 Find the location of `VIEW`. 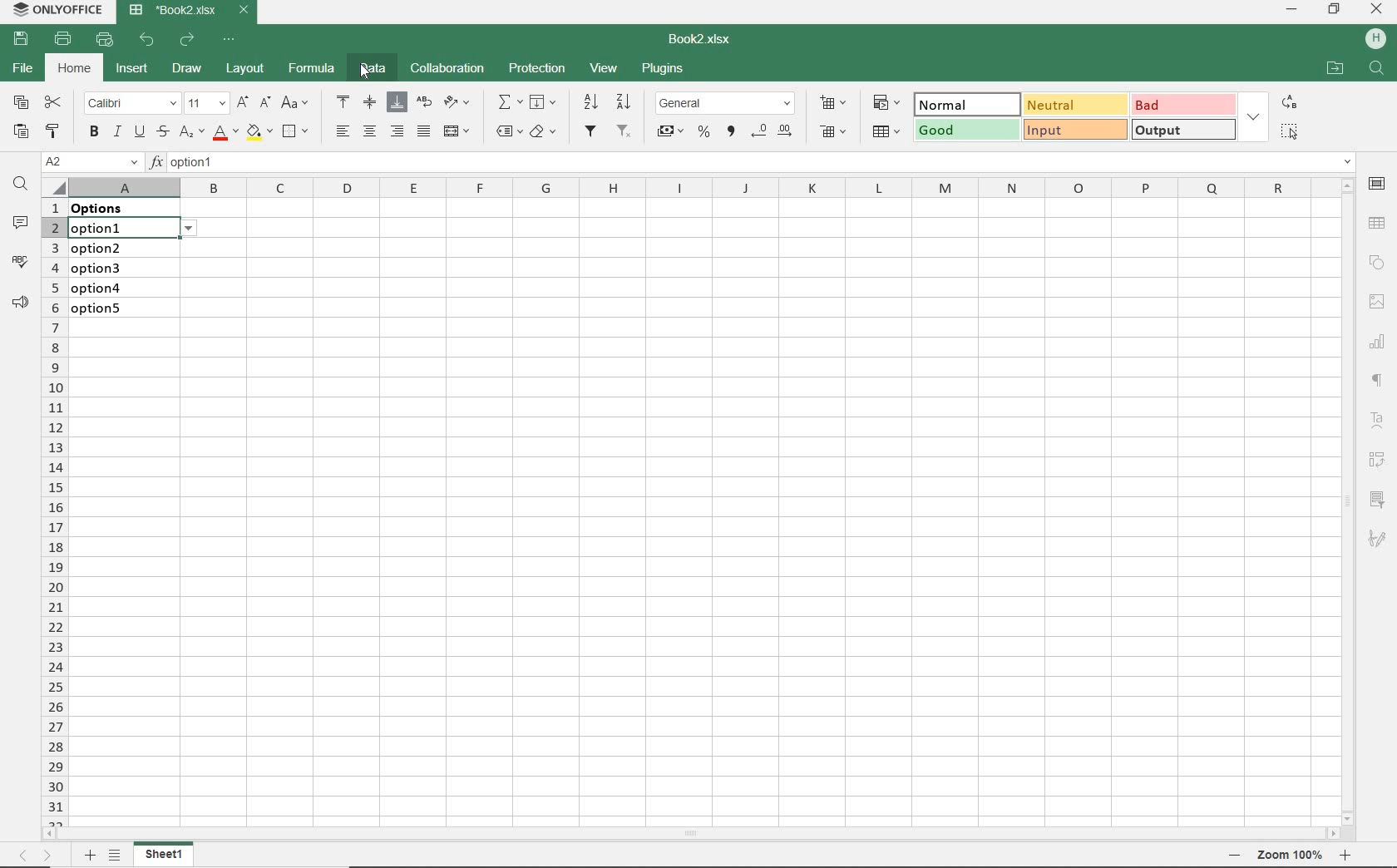

VIEW is located at coordinates (604, 68).